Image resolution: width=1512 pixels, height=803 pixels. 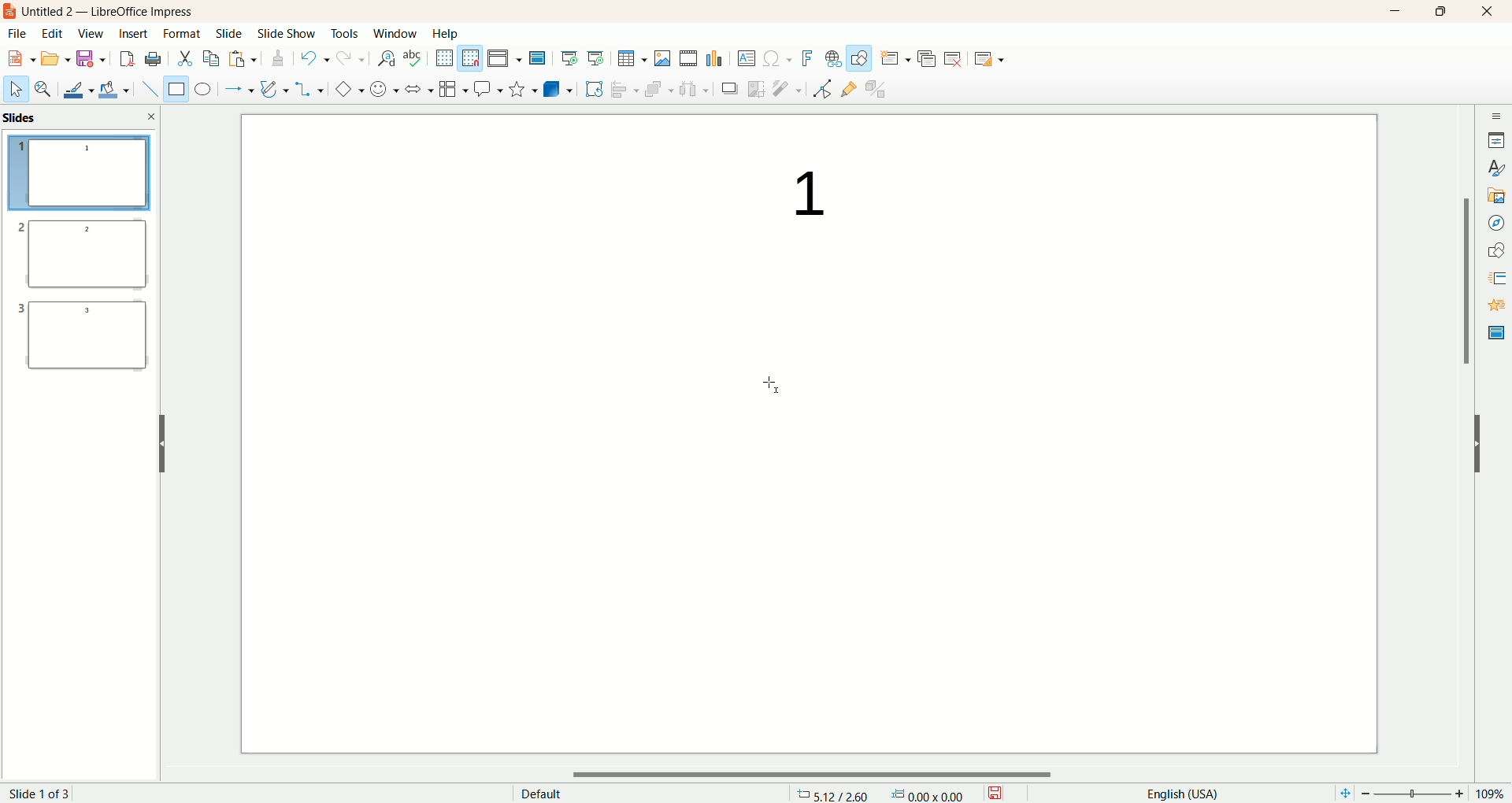 What do you see at coordinates (1488, 13) in the screenshot?
I see `close` at bounding box center [1488, 13].